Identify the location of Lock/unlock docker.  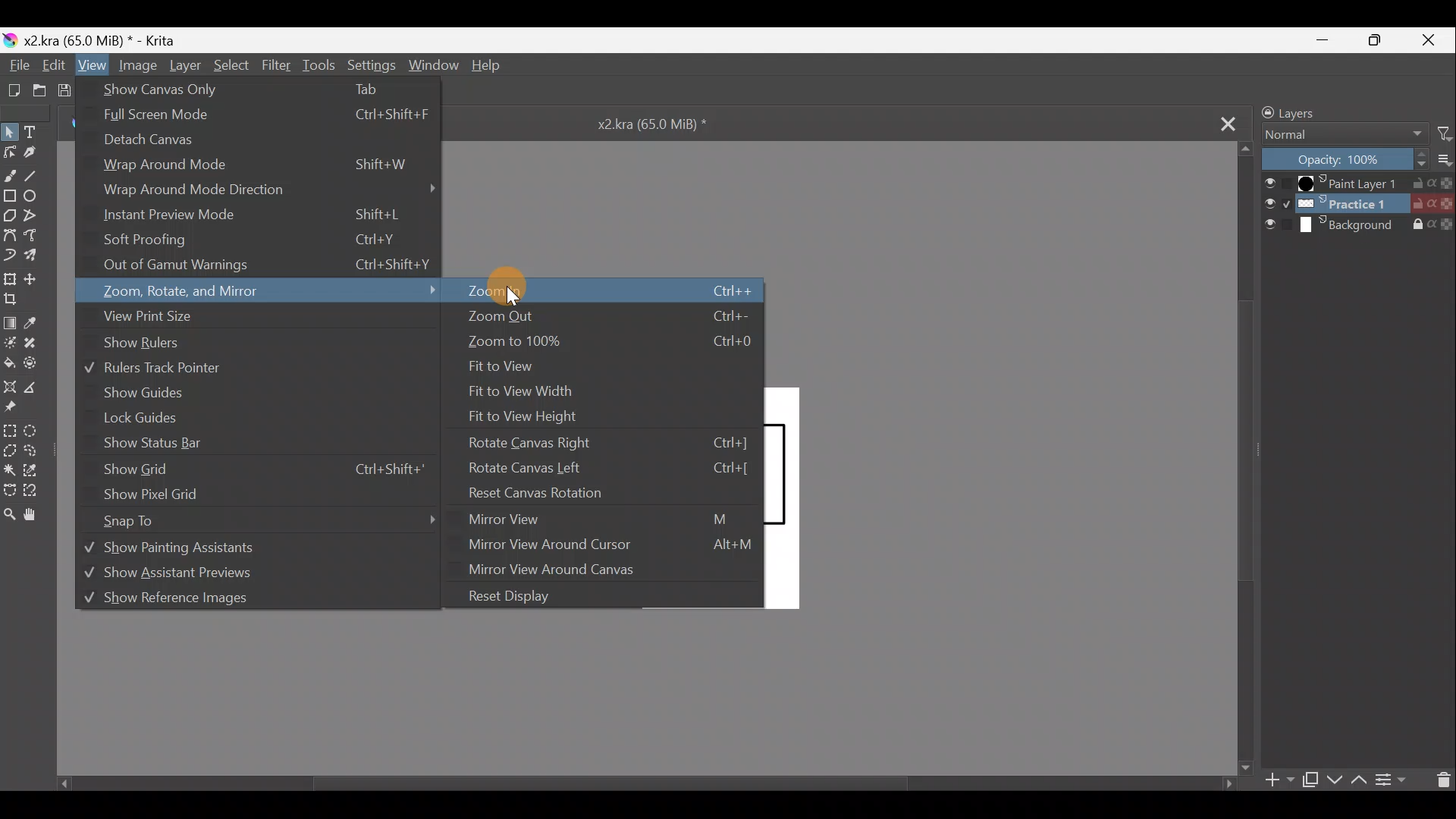
(1260, 111).